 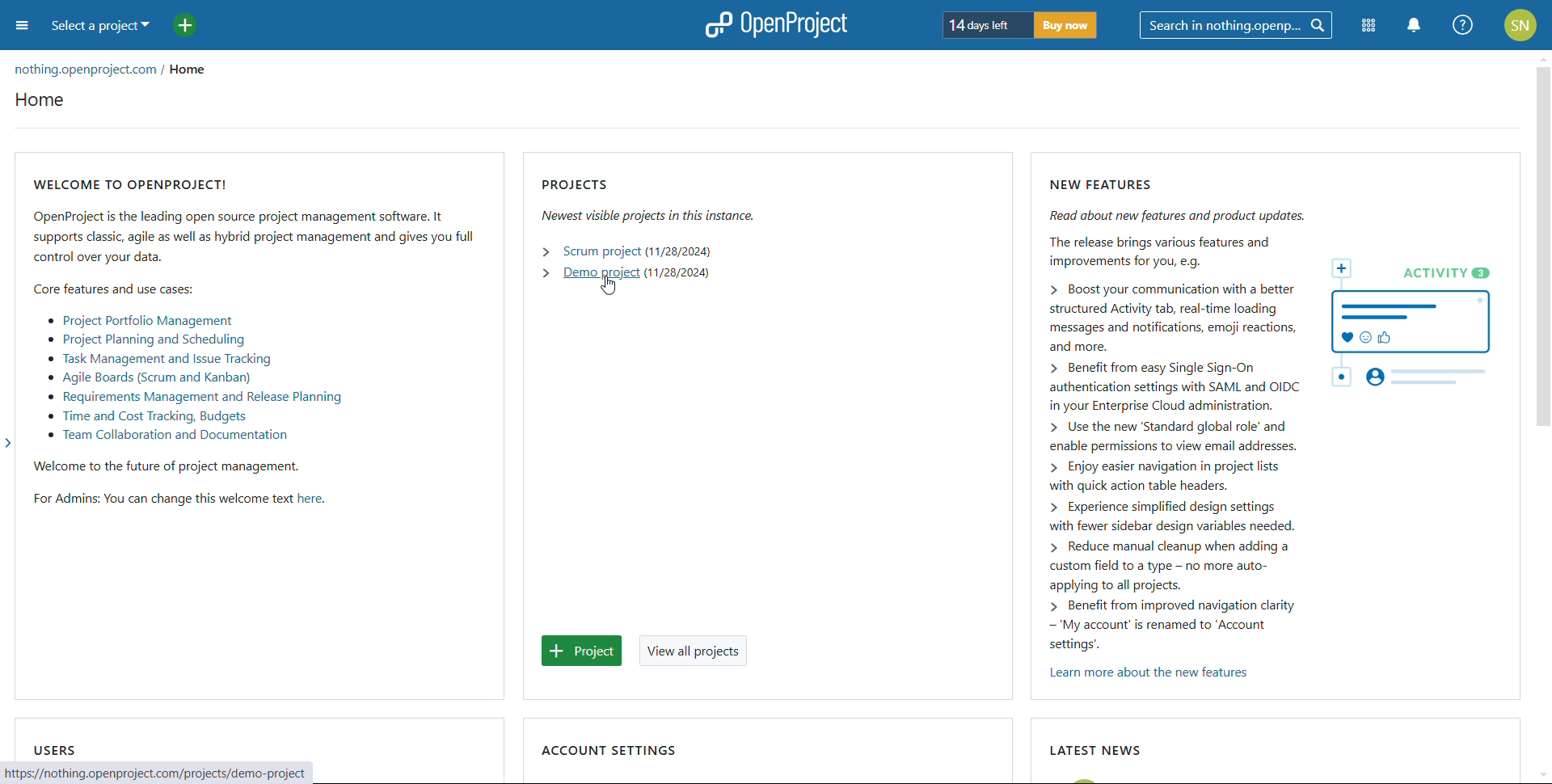 What do you see at coordinates (1152, 673) in the screenshot?
I see `learn more about new features` at bounding box center [1152, 673].